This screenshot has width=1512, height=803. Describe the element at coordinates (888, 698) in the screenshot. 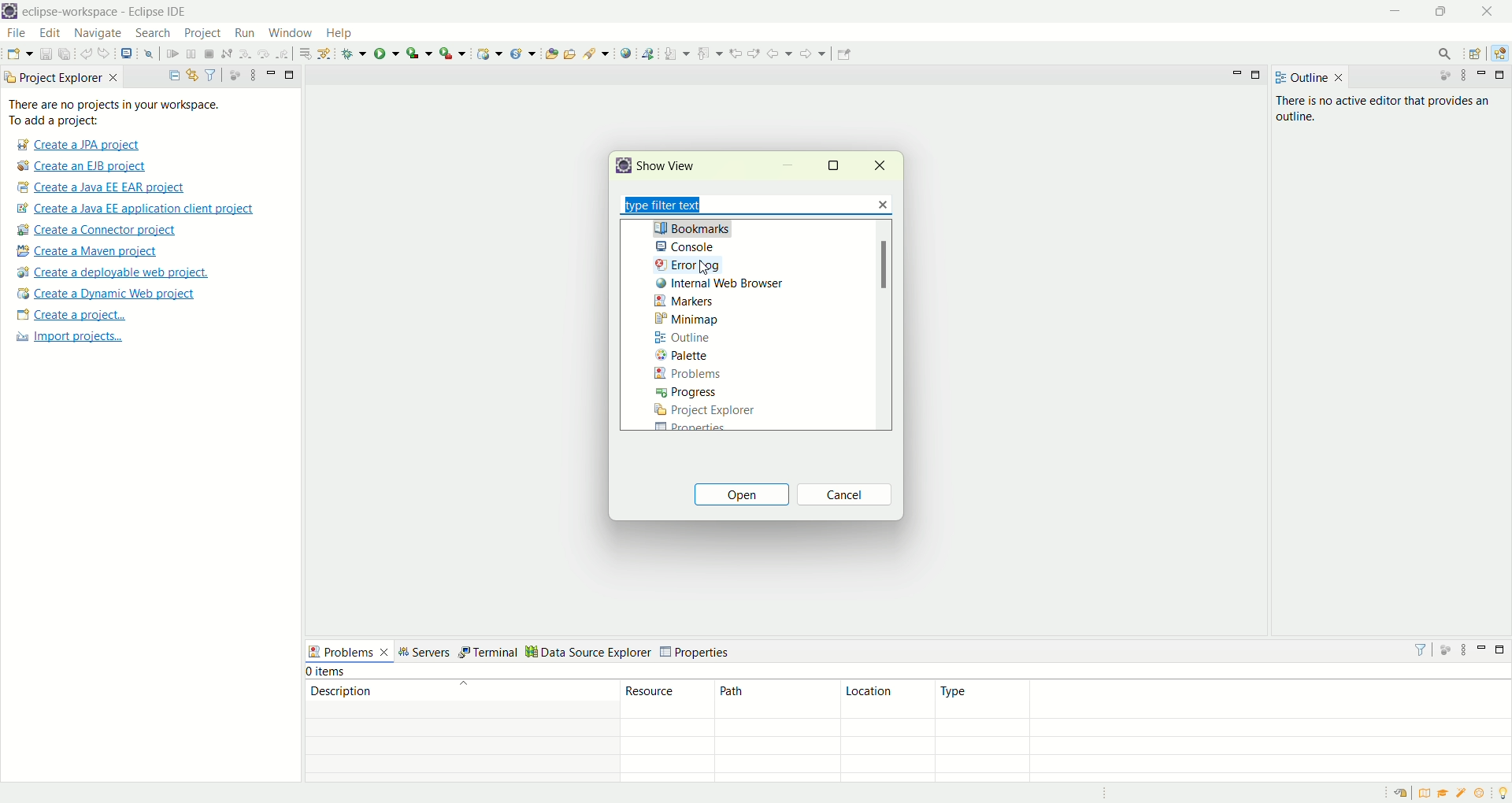

I see `location` at that location.